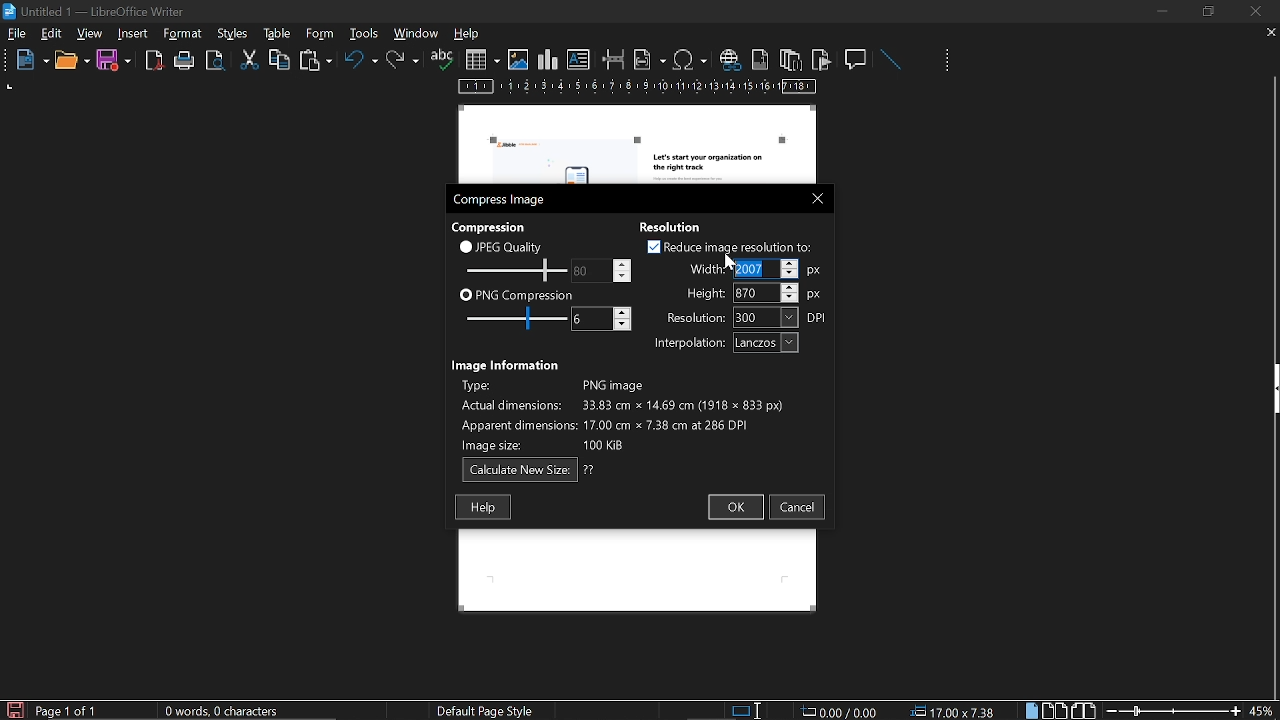  I want to click on change png compression, so click(601, 319).